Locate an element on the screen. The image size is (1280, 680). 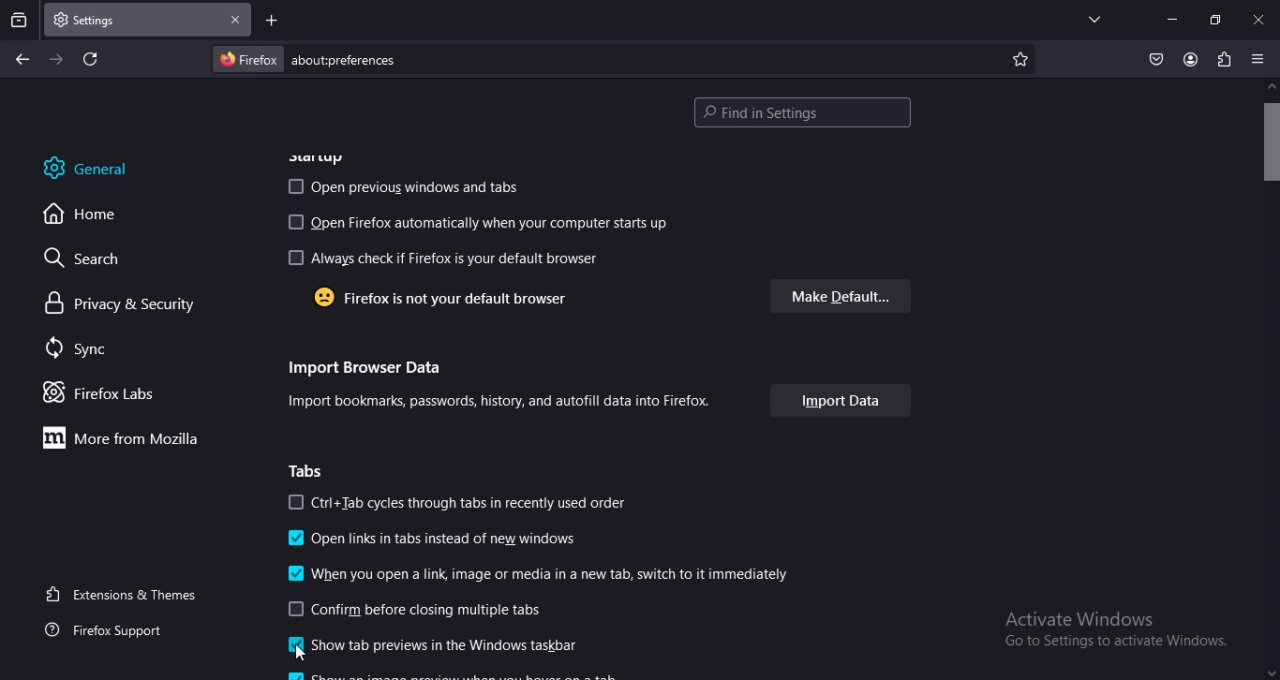
list all tabs is located at coordinates (1091, 19).